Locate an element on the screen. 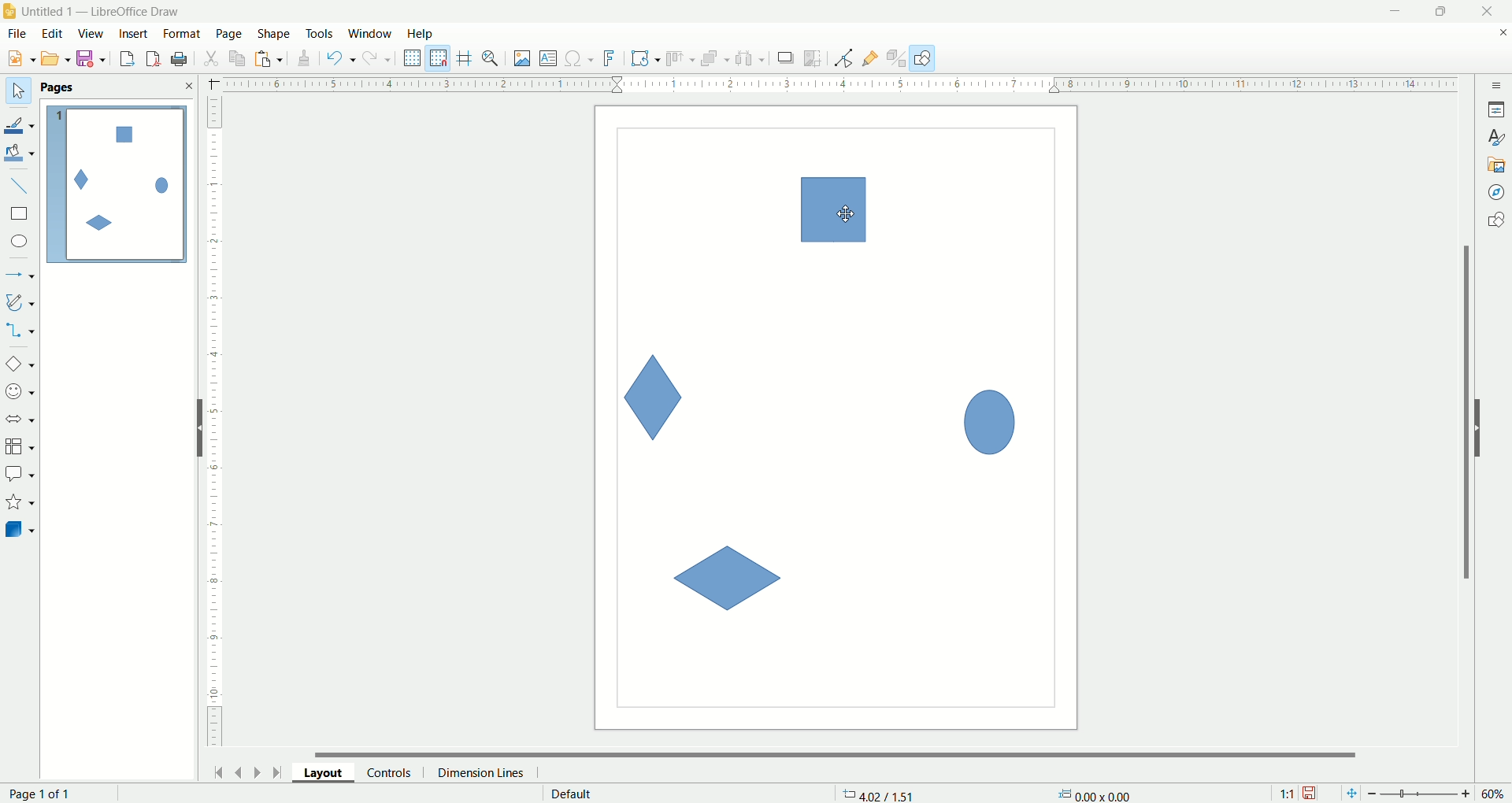 The width and height of the screenshot is (1512, 803). minimize is located at coordinates (1396, 11).